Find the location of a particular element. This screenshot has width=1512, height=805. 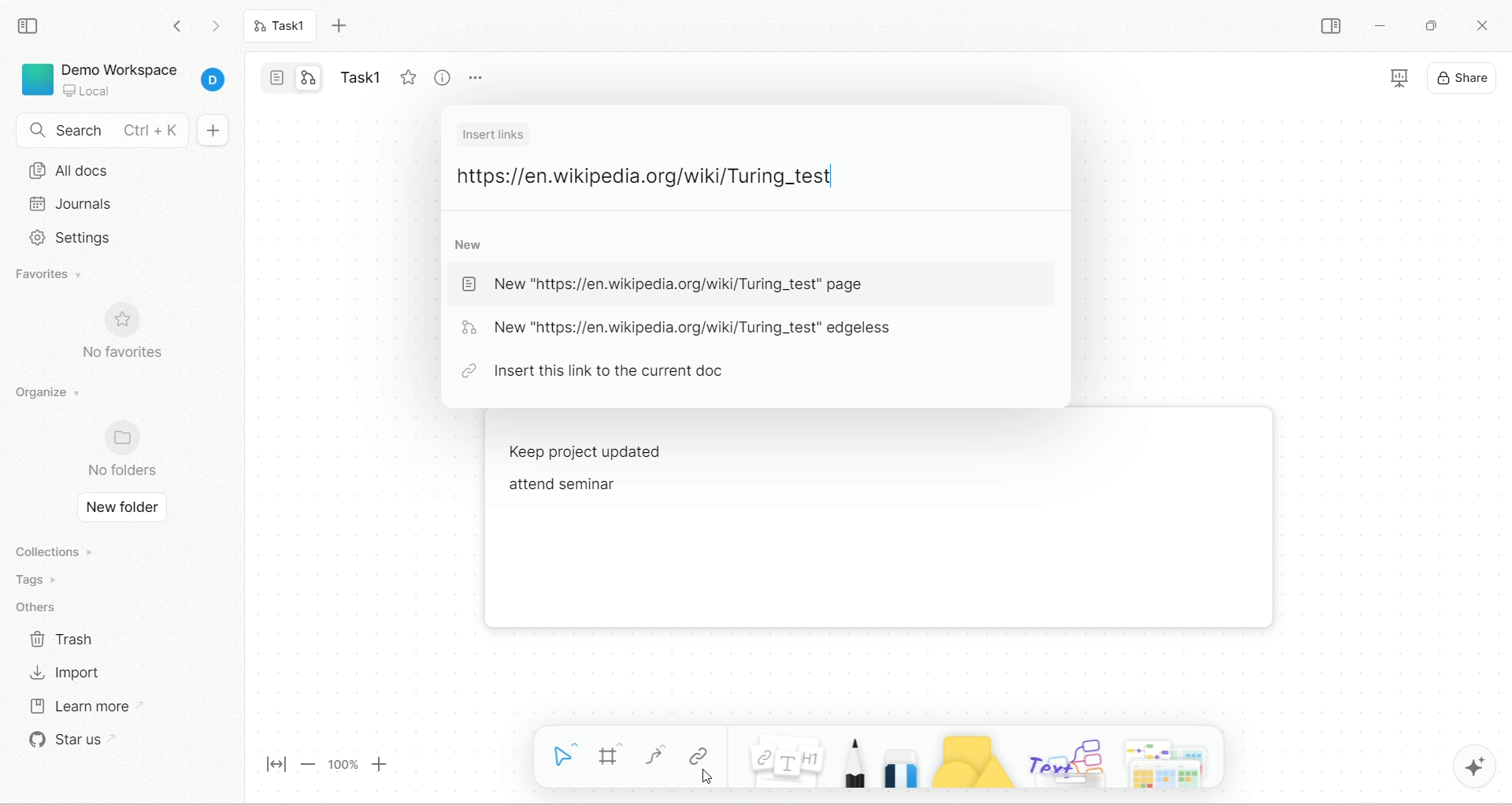

URL - https://en.wikipedia.org/wiki/Turing_test is located at coordinates (647, 175).